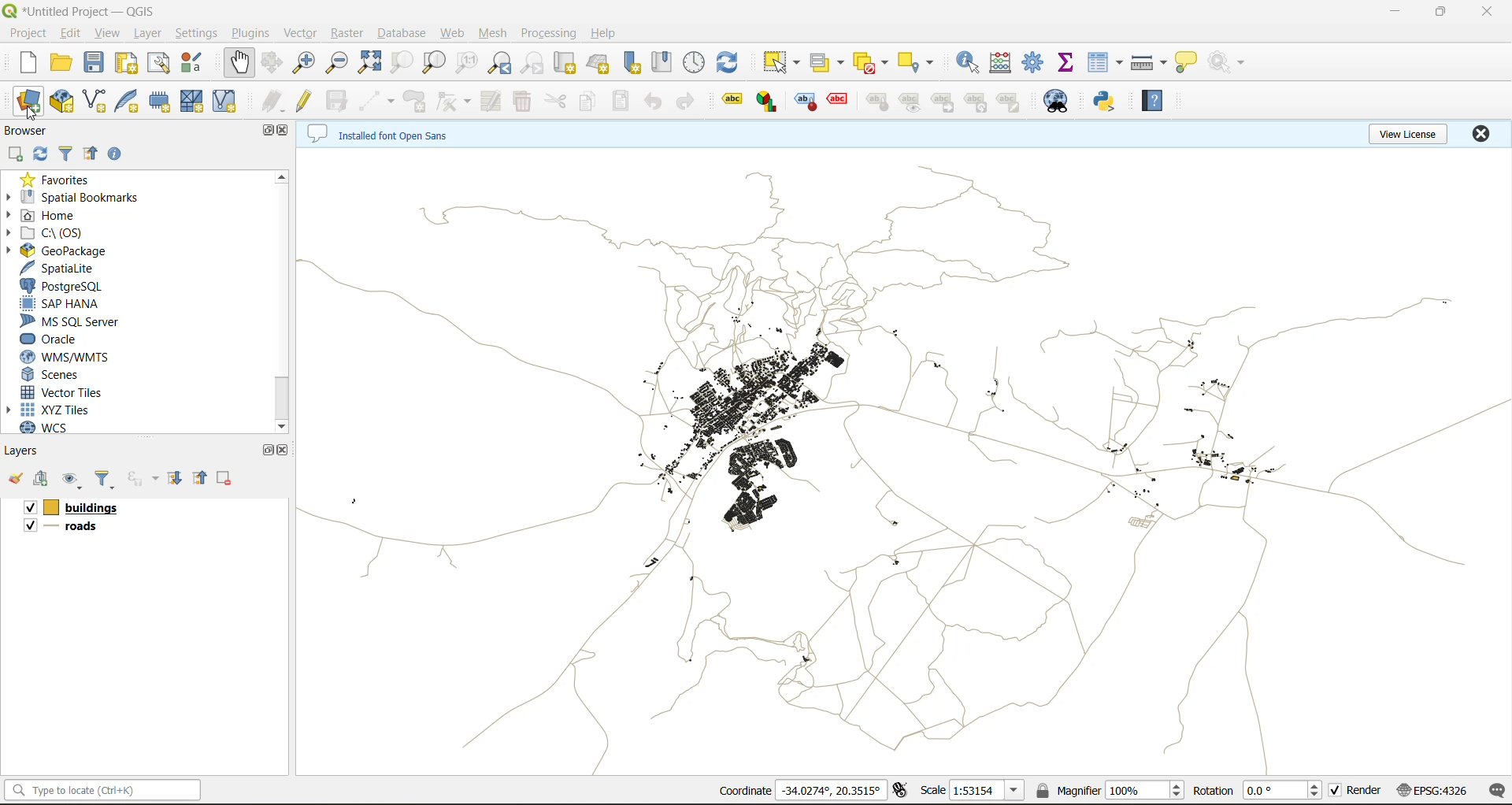 The width and height of the screenshot is (1512, 805). Describe the element at coordinates (1498, 791) in the screenshot. I see `log messages` at that location.